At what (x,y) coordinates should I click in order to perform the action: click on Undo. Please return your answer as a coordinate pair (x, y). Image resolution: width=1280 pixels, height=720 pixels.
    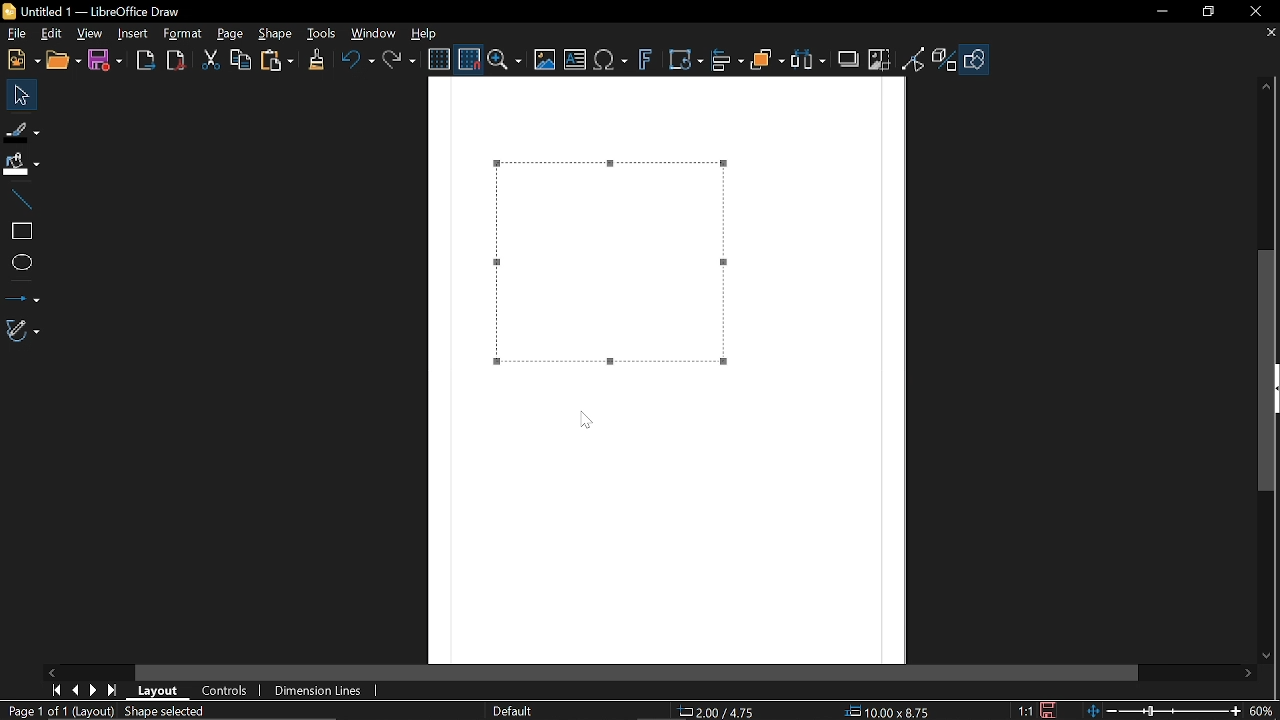
    Looking at the image, I should click on (357, 60).